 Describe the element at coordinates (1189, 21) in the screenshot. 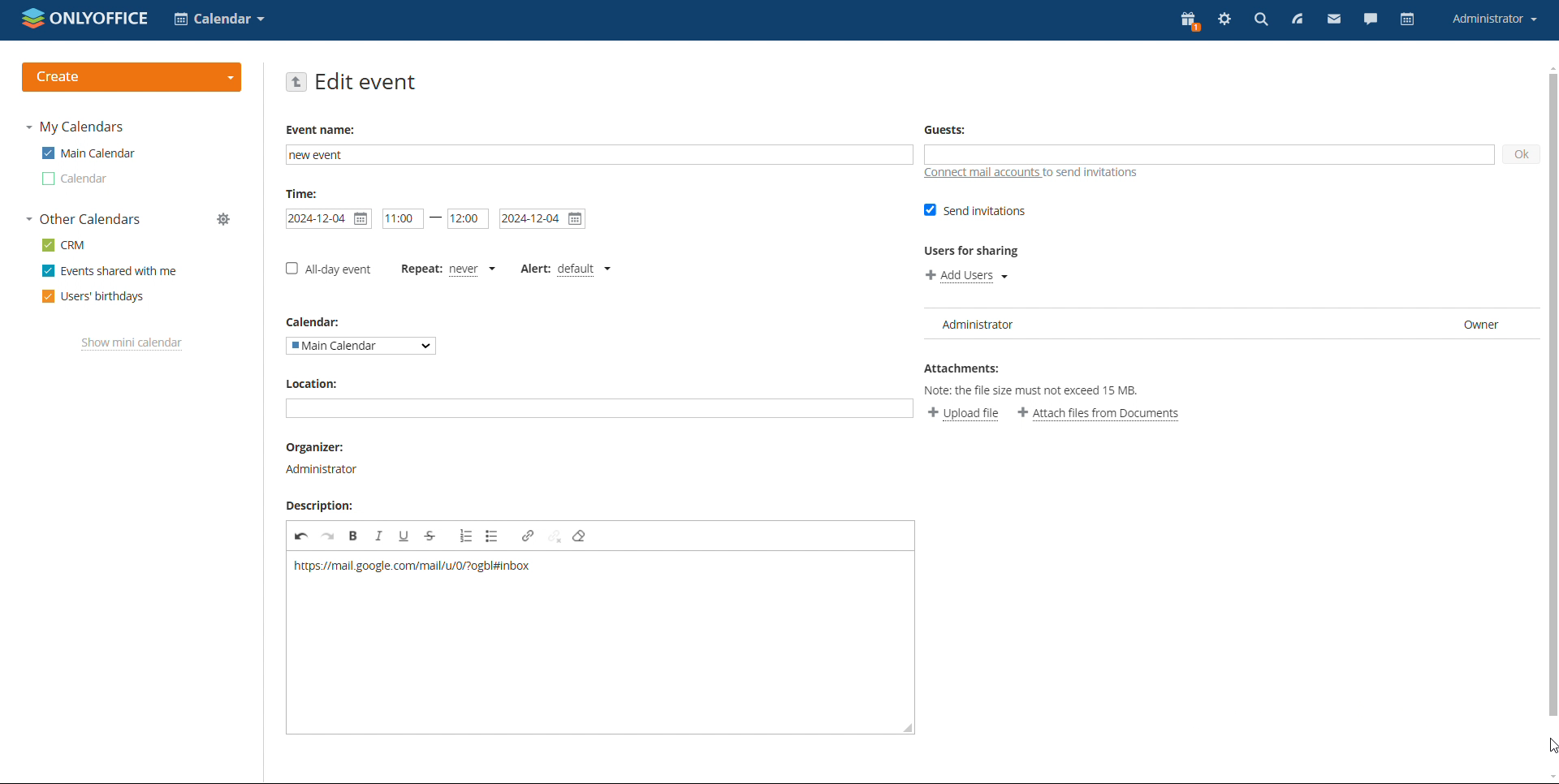

I see `present` at that location.